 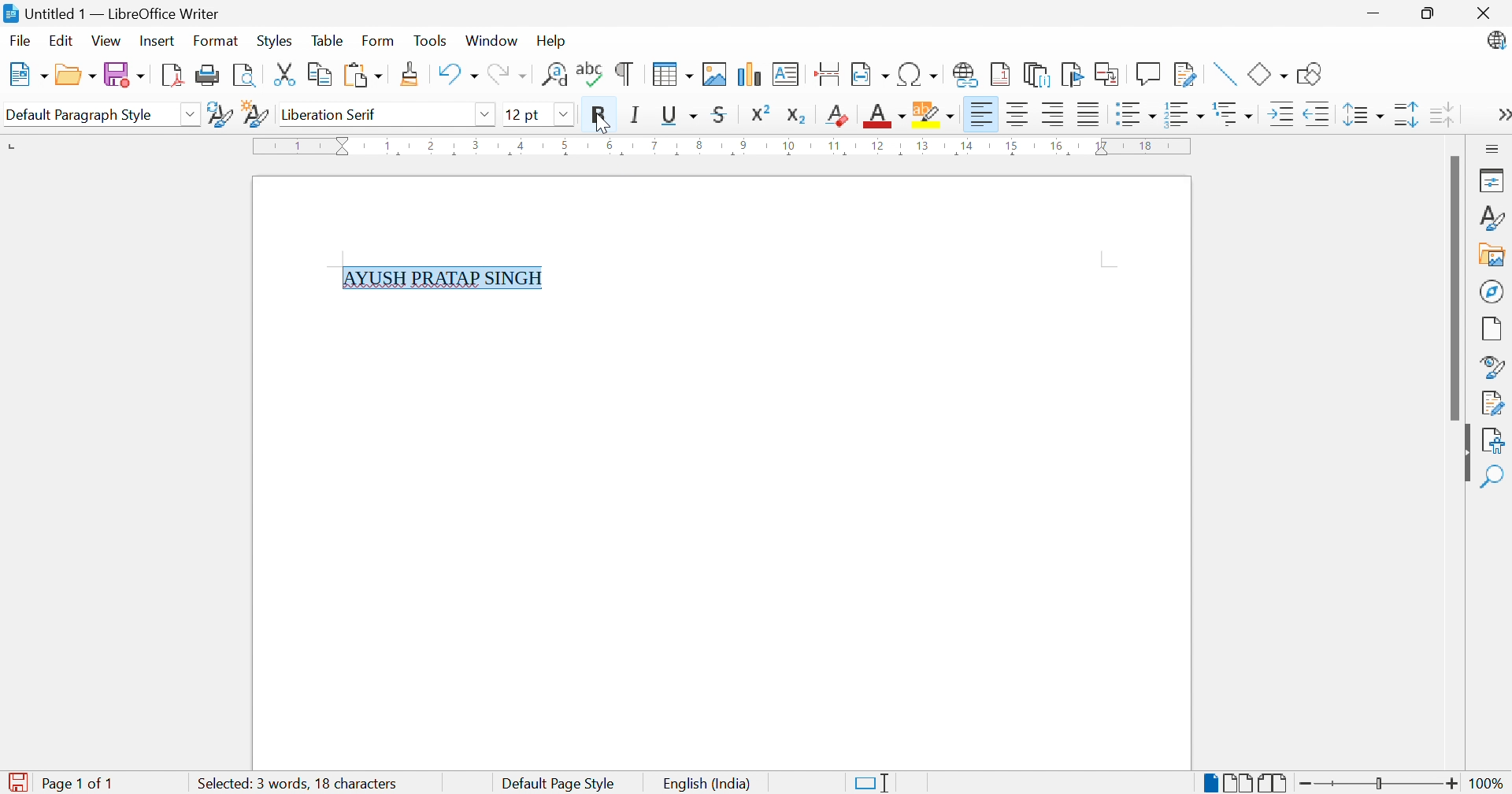 I want to click on Edit, so click(x=62, y=40).